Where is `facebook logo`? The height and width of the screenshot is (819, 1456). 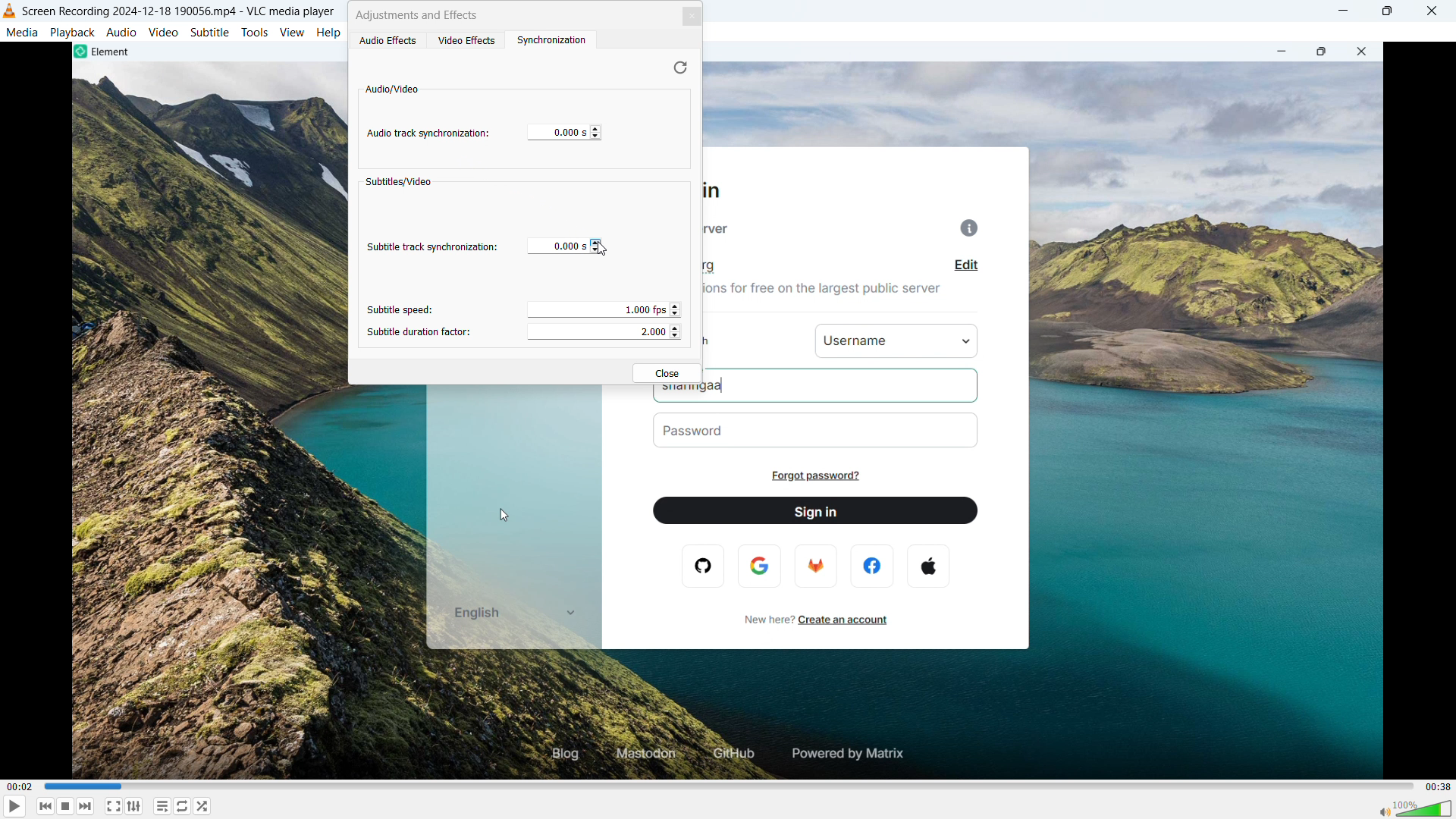 facebook logo is located at coordinates (874, 565).